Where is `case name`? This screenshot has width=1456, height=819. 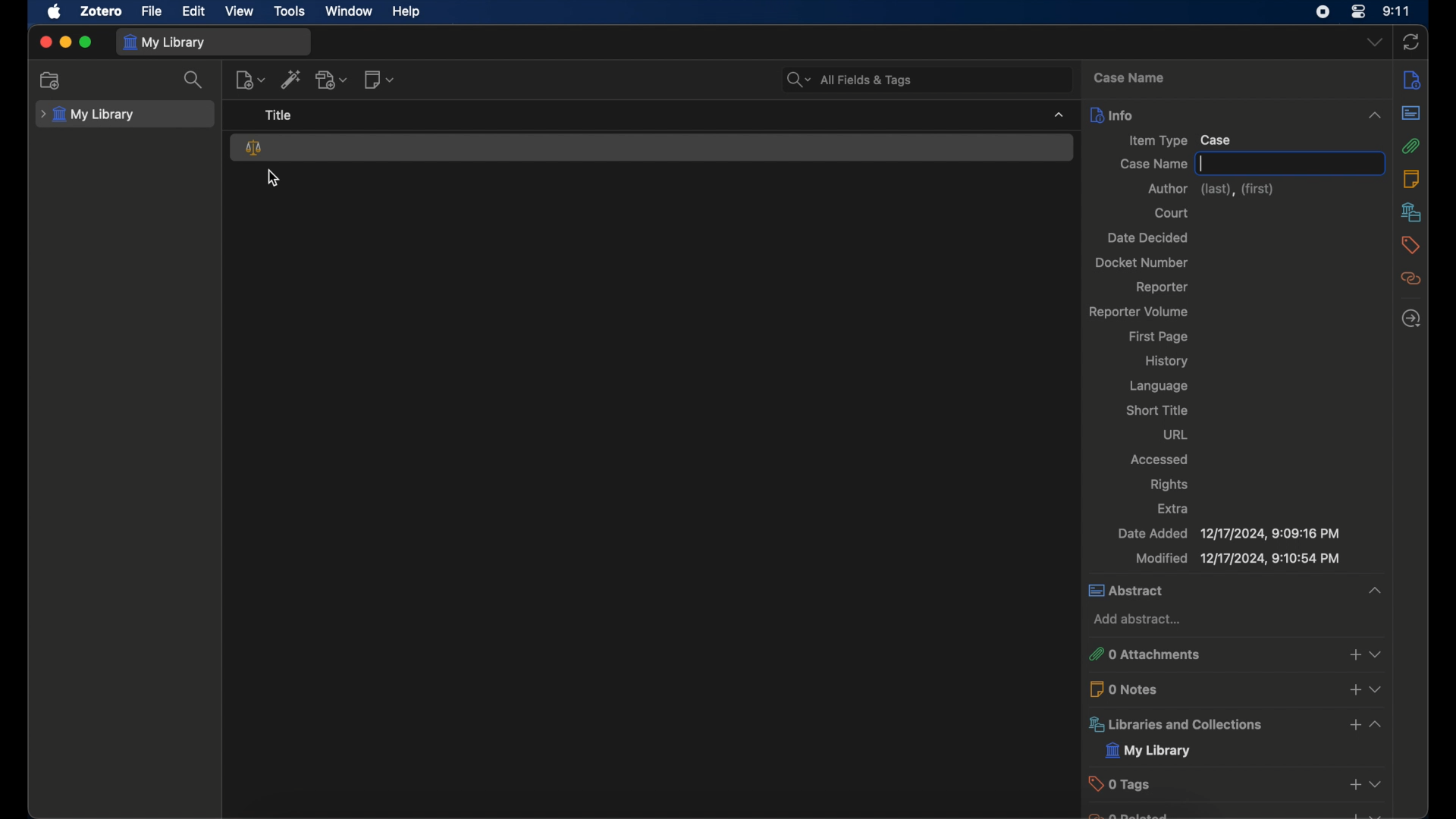 case name is located at coordinates (1152, 164).